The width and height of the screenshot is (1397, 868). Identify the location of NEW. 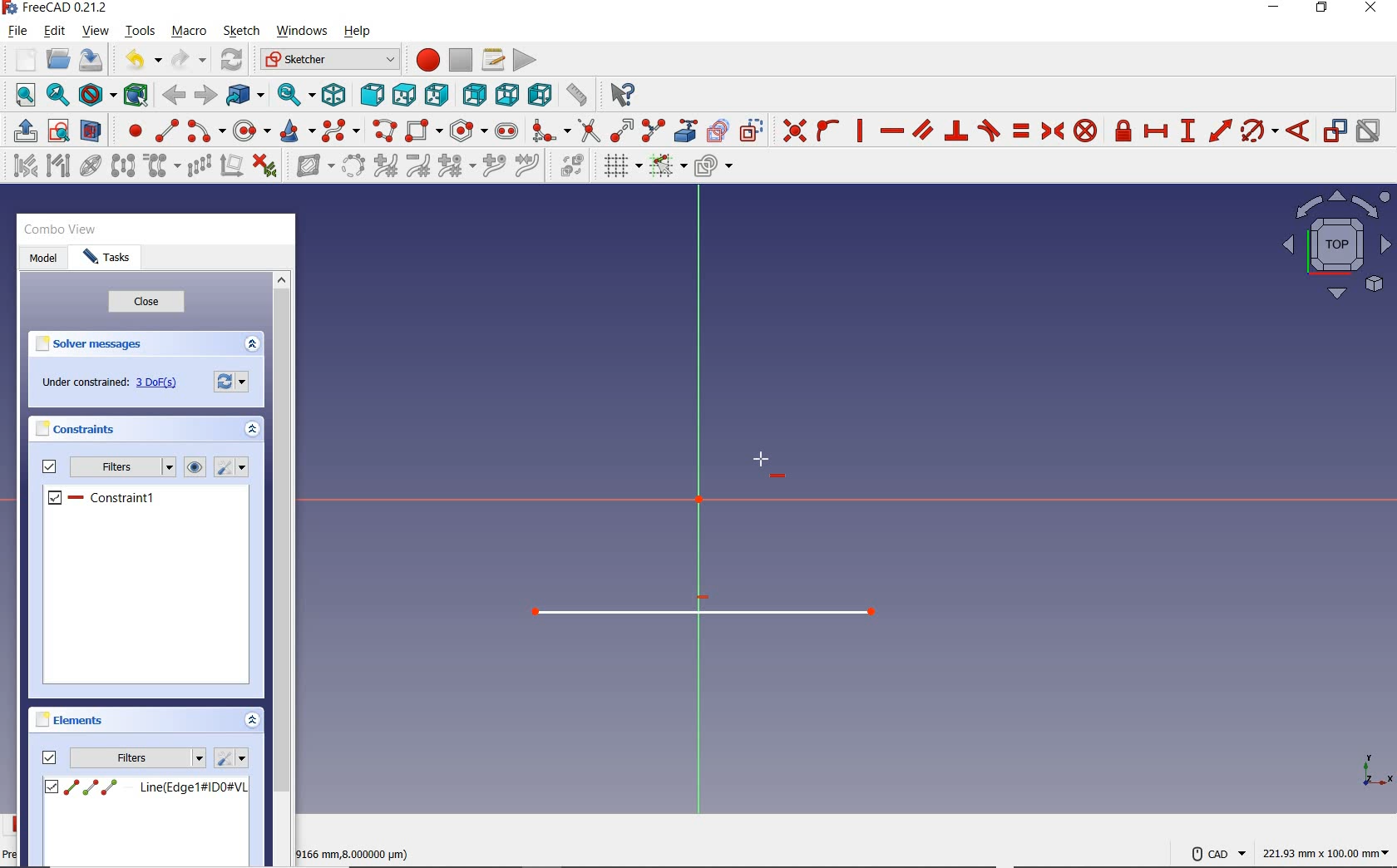
(22, 58).